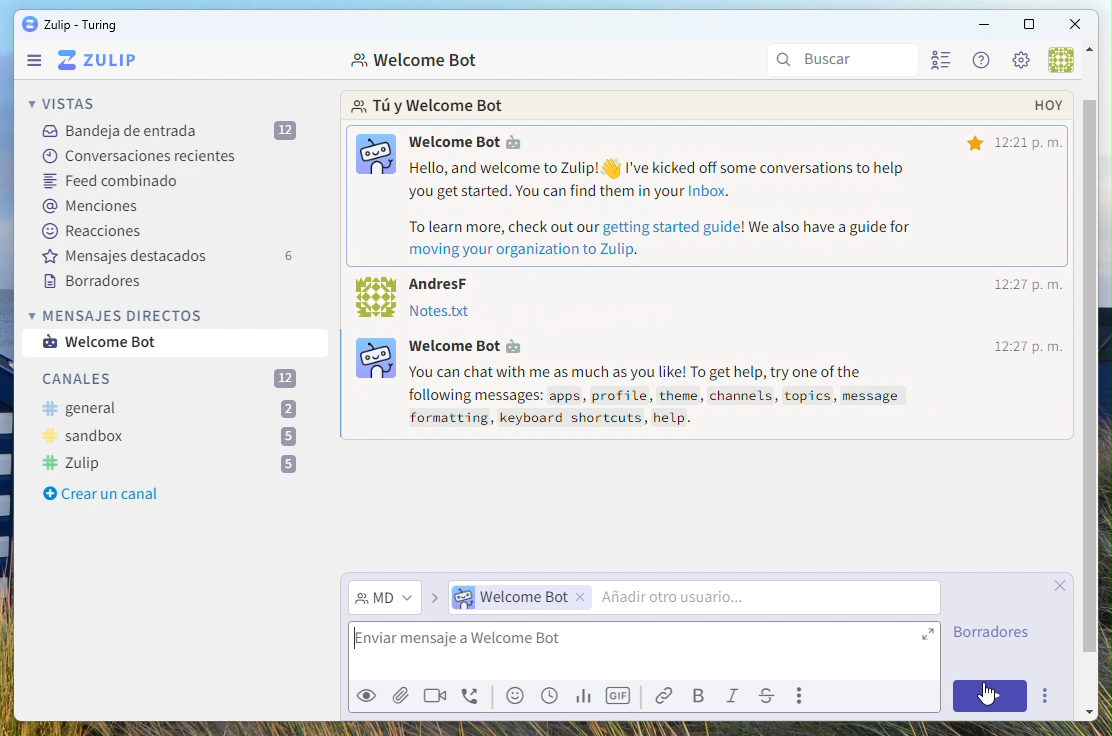 The width and height of the screenshot is (1112, 736). Describe the element at coordinates (736, 698) in the screenshot. I see `italic` at that location.